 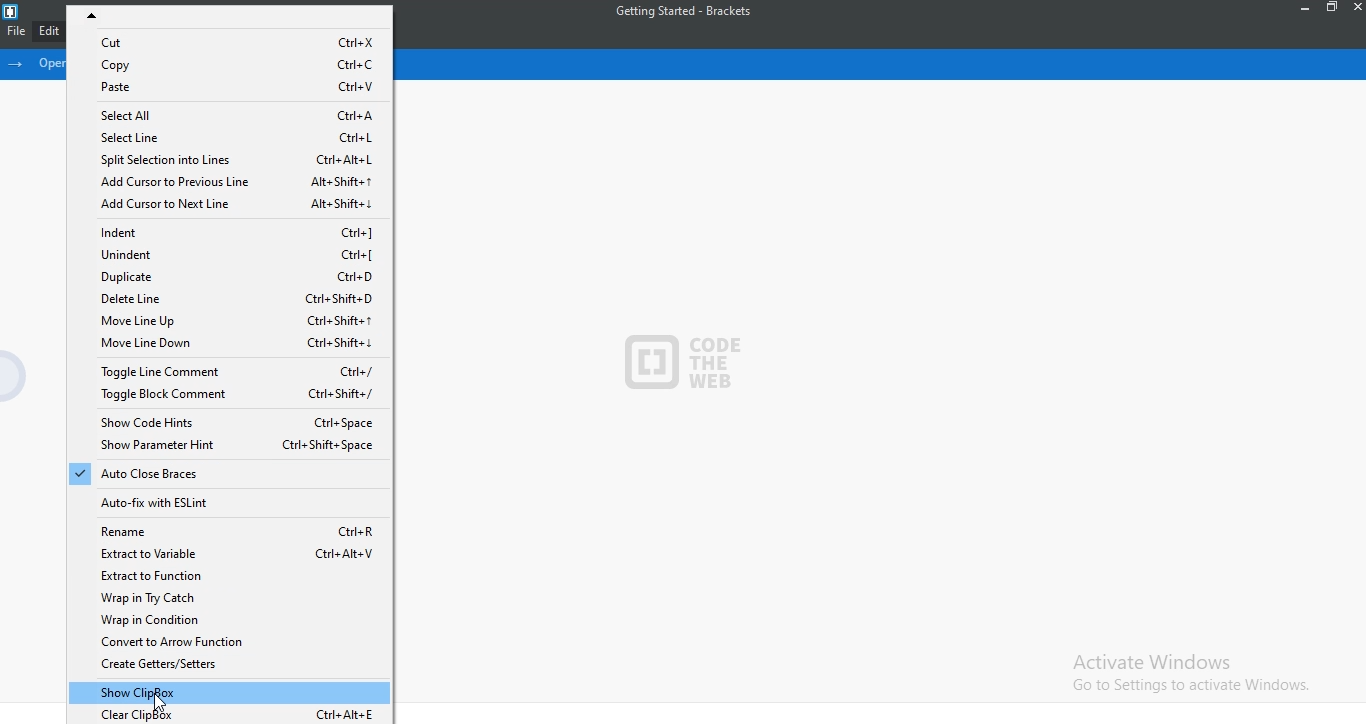 I want to click on Auto-fix with EsLint, so click(x=229, y=502).